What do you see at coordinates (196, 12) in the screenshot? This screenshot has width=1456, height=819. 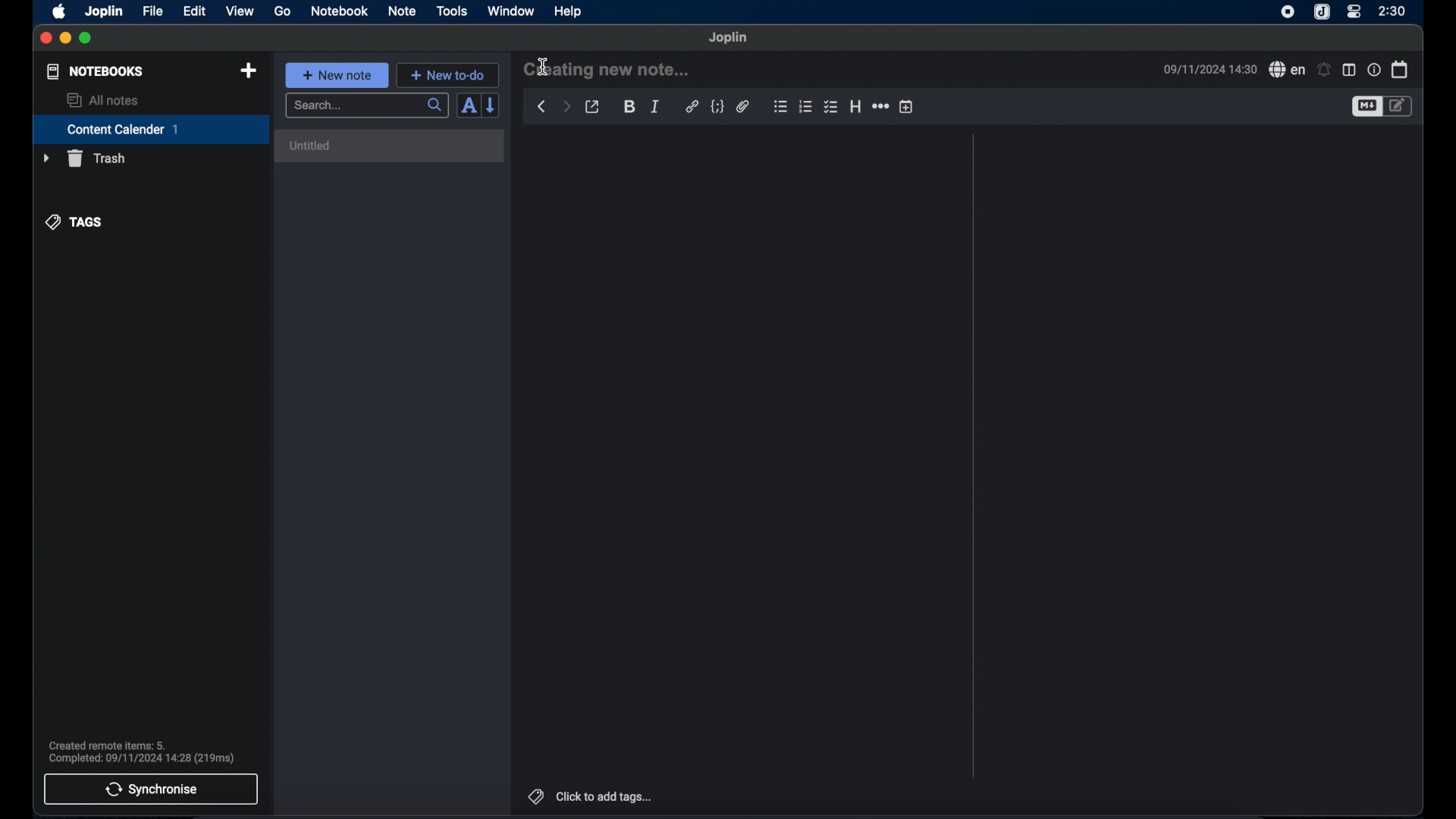 I see `edit` at bounding box center [196, 12].